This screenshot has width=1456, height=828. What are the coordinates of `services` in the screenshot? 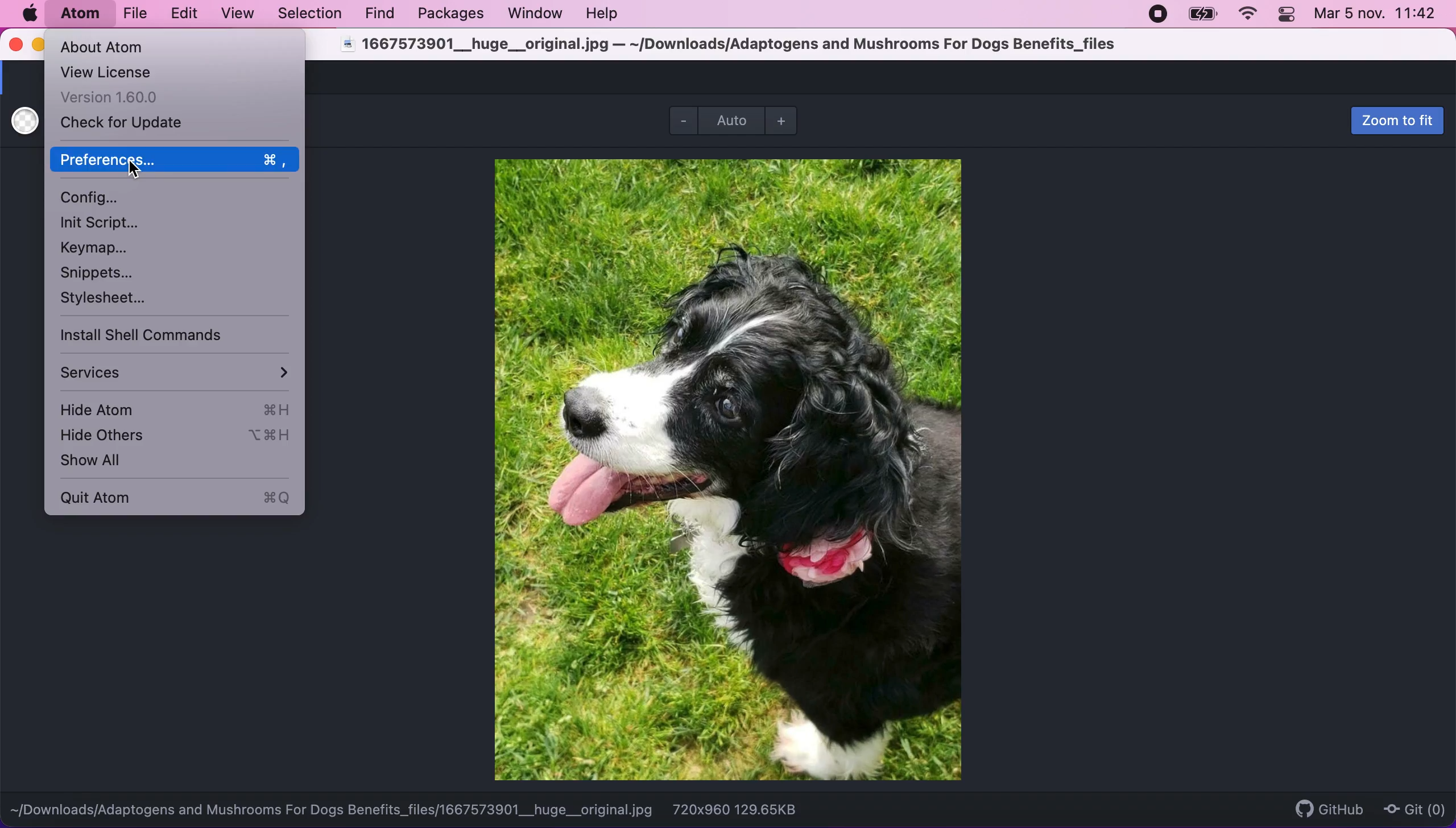 It's located at (175, 374).